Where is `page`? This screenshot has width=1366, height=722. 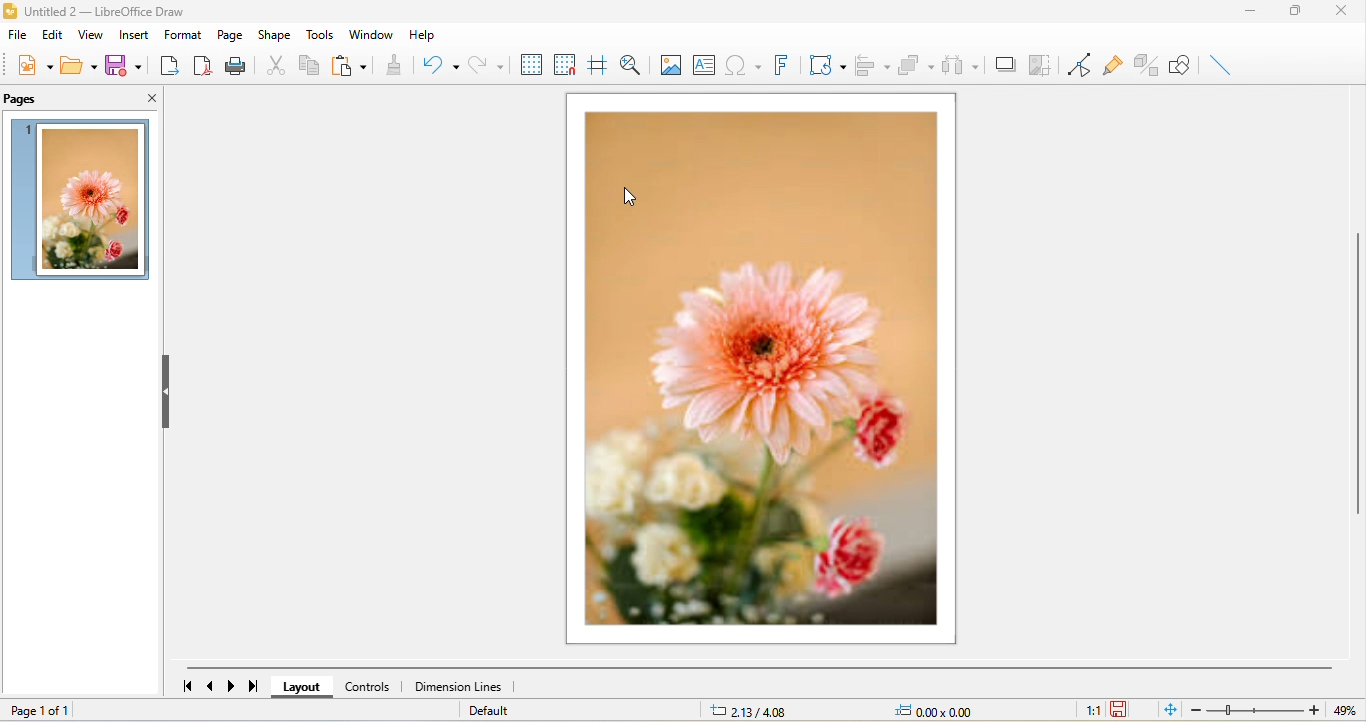
page is located at coordinates (232, 34).